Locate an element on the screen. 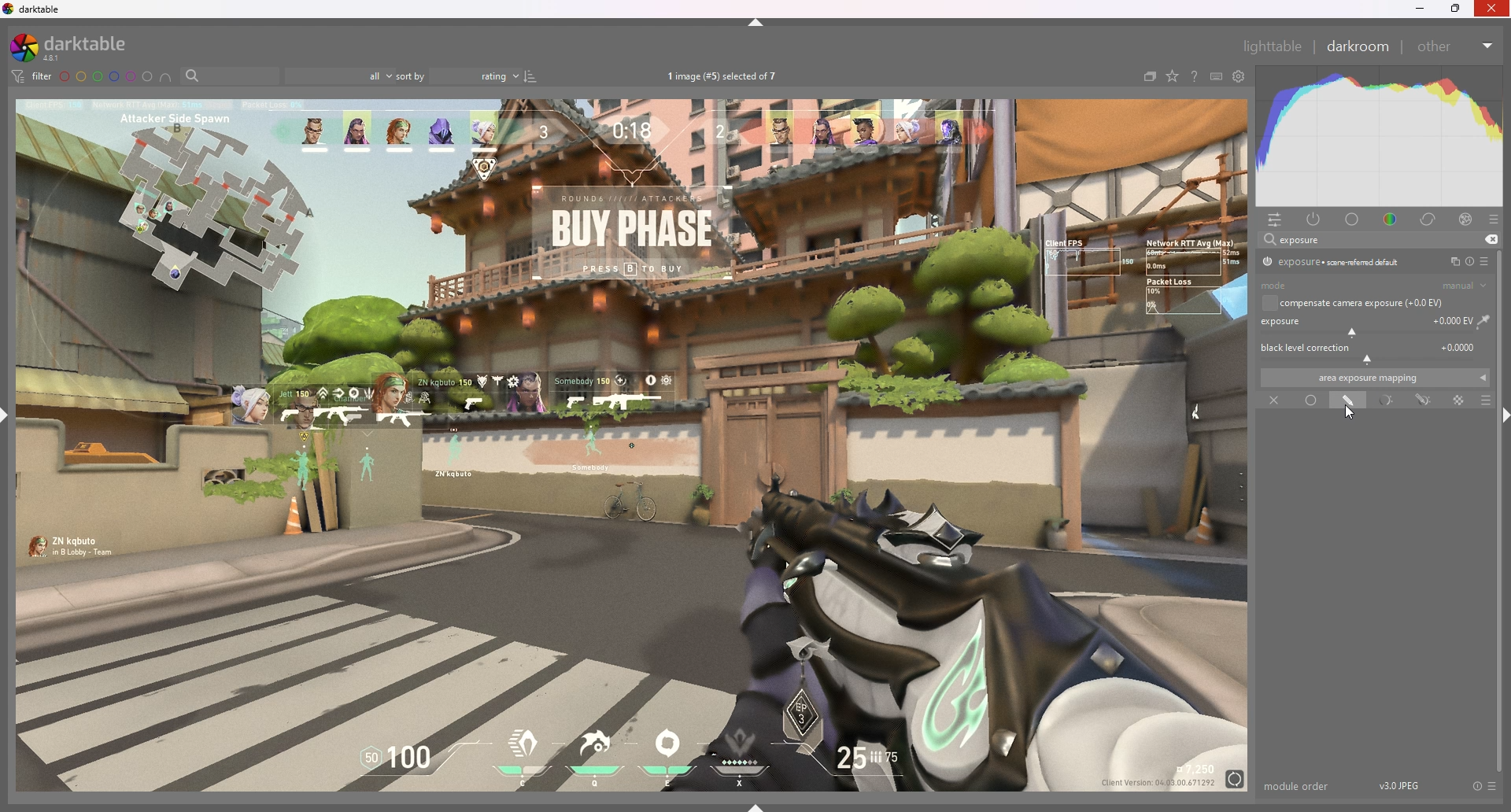 The width and height of the screenshot is (1511, 812). area exposure mapping is located at coordinates (1375, 378).